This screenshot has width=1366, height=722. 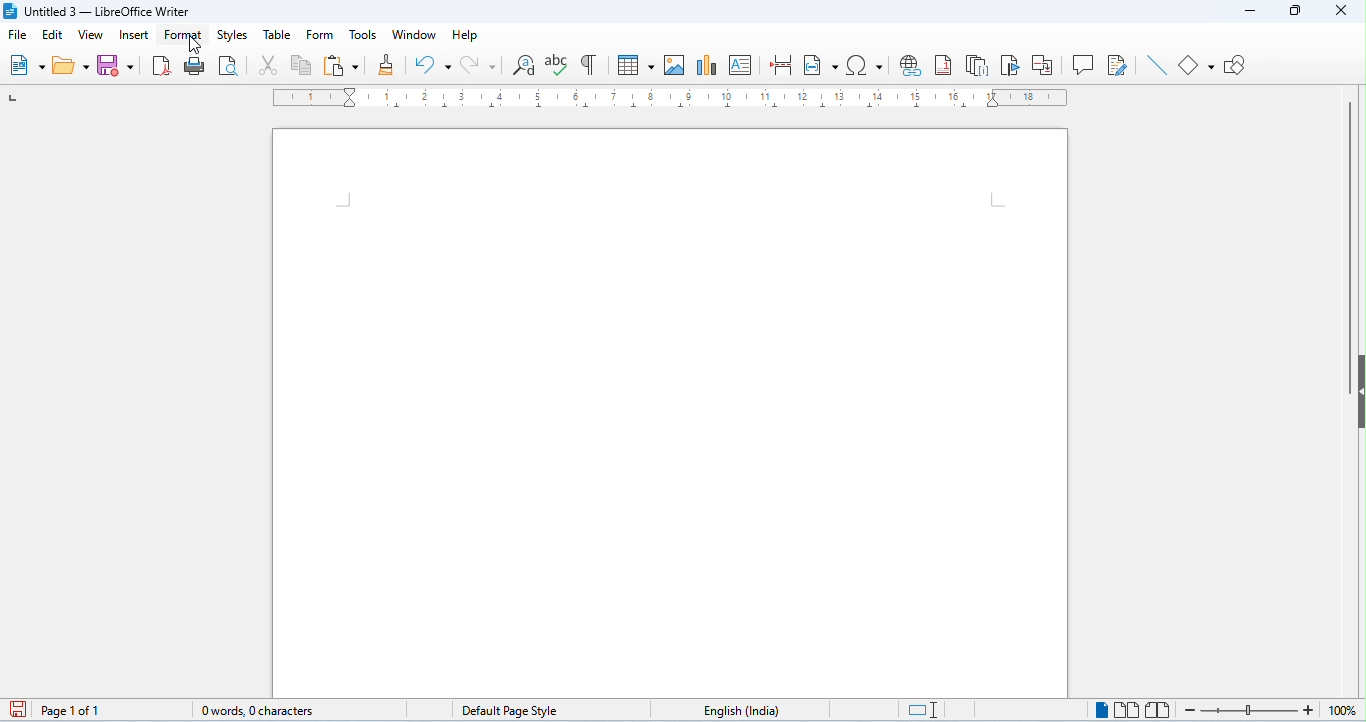 I want to click on open, so click(x=71, y=65).